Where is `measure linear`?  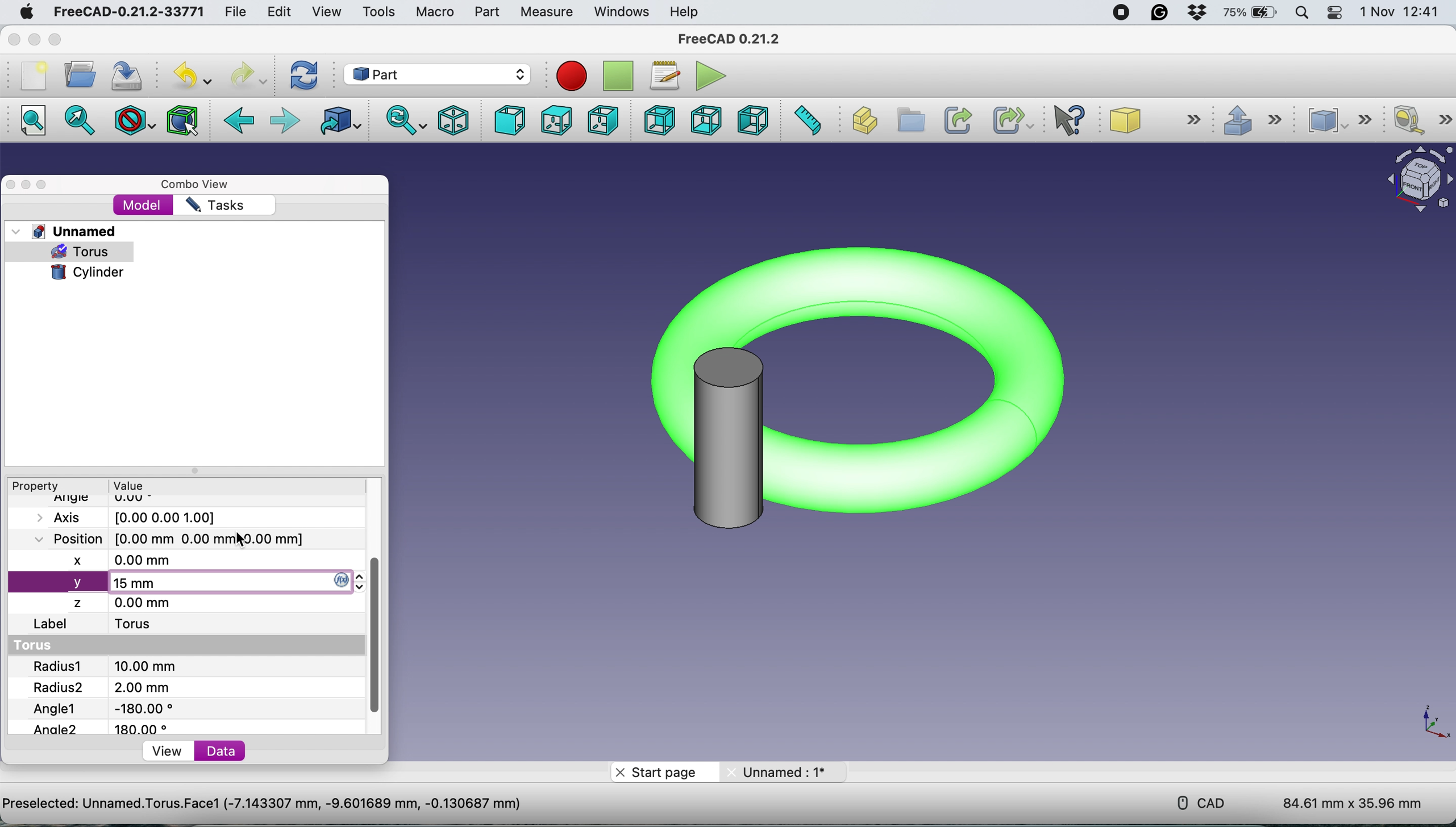
measure linear is located at coordinates (1421, 120).